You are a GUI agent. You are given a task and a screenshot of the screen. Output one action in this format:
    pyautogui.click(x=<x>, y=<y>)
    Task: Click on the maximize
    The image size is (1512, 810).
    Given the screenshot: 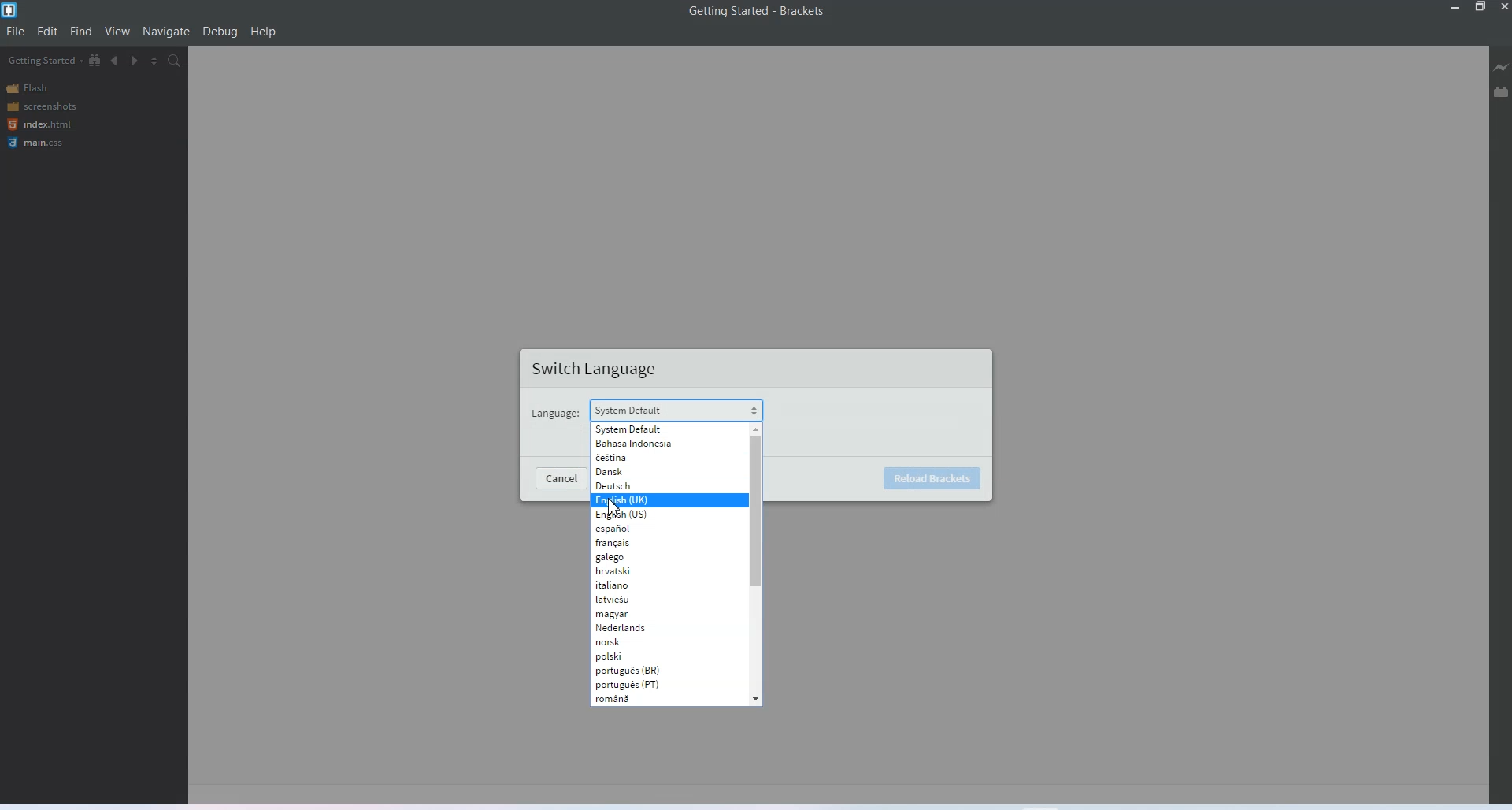 What is the action you would take?
    pyautogui.click(x=1480, y=8)
    